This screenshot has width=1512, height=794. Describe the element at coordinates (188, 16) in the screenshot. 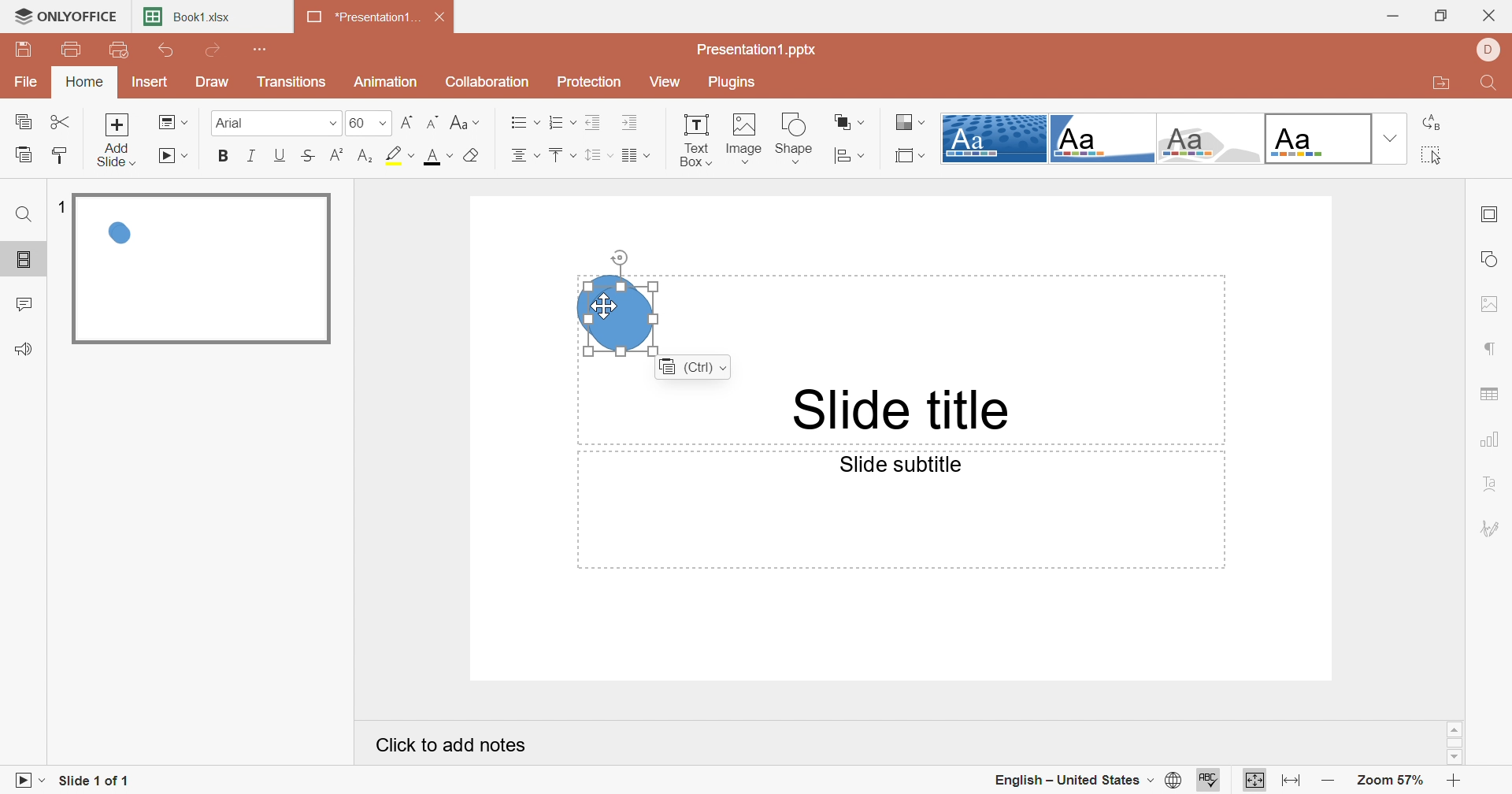

I see `Book1.xlsx` at that location.